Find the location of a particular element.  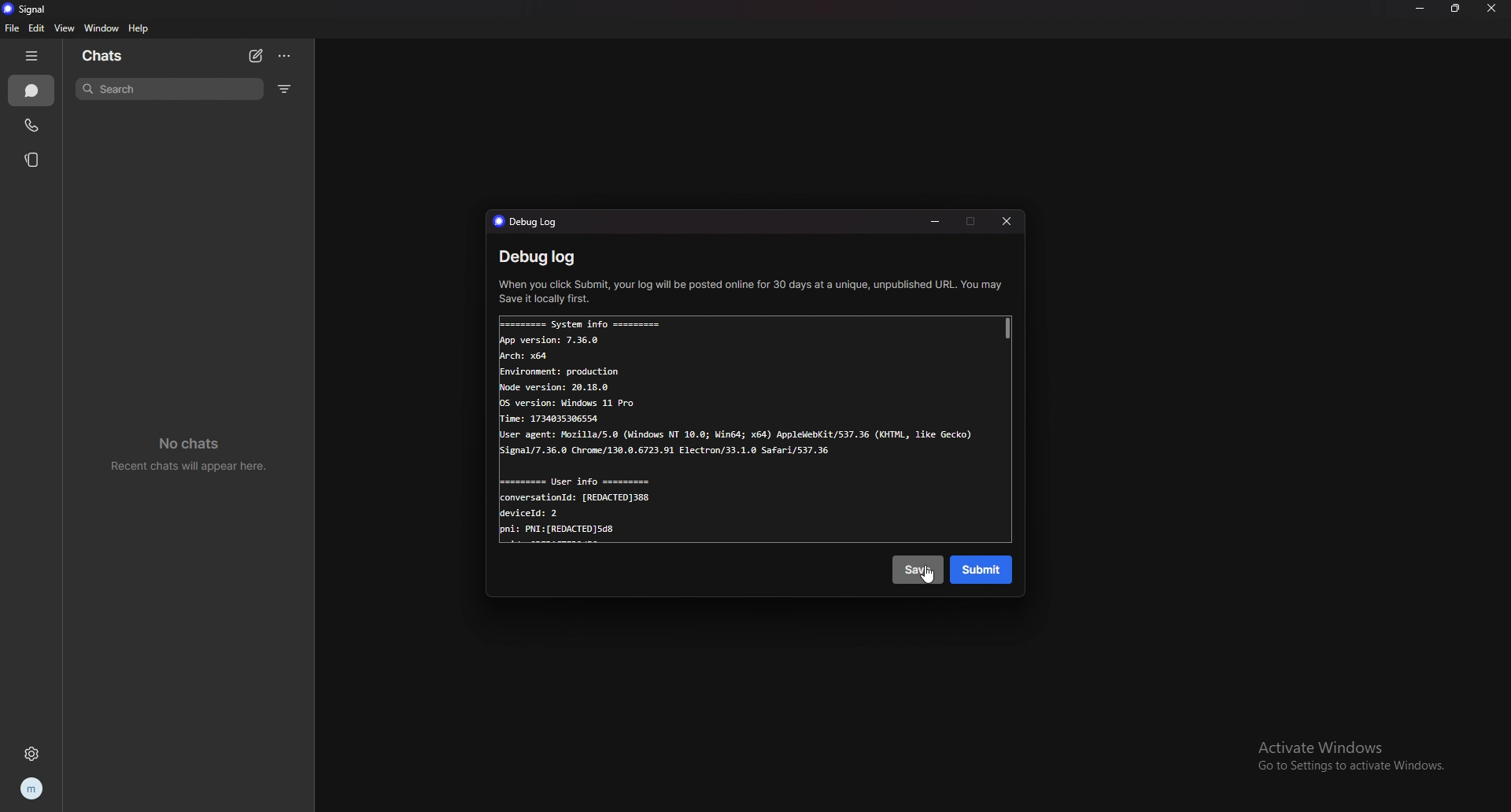

settings is located at coordinates (33, 754).